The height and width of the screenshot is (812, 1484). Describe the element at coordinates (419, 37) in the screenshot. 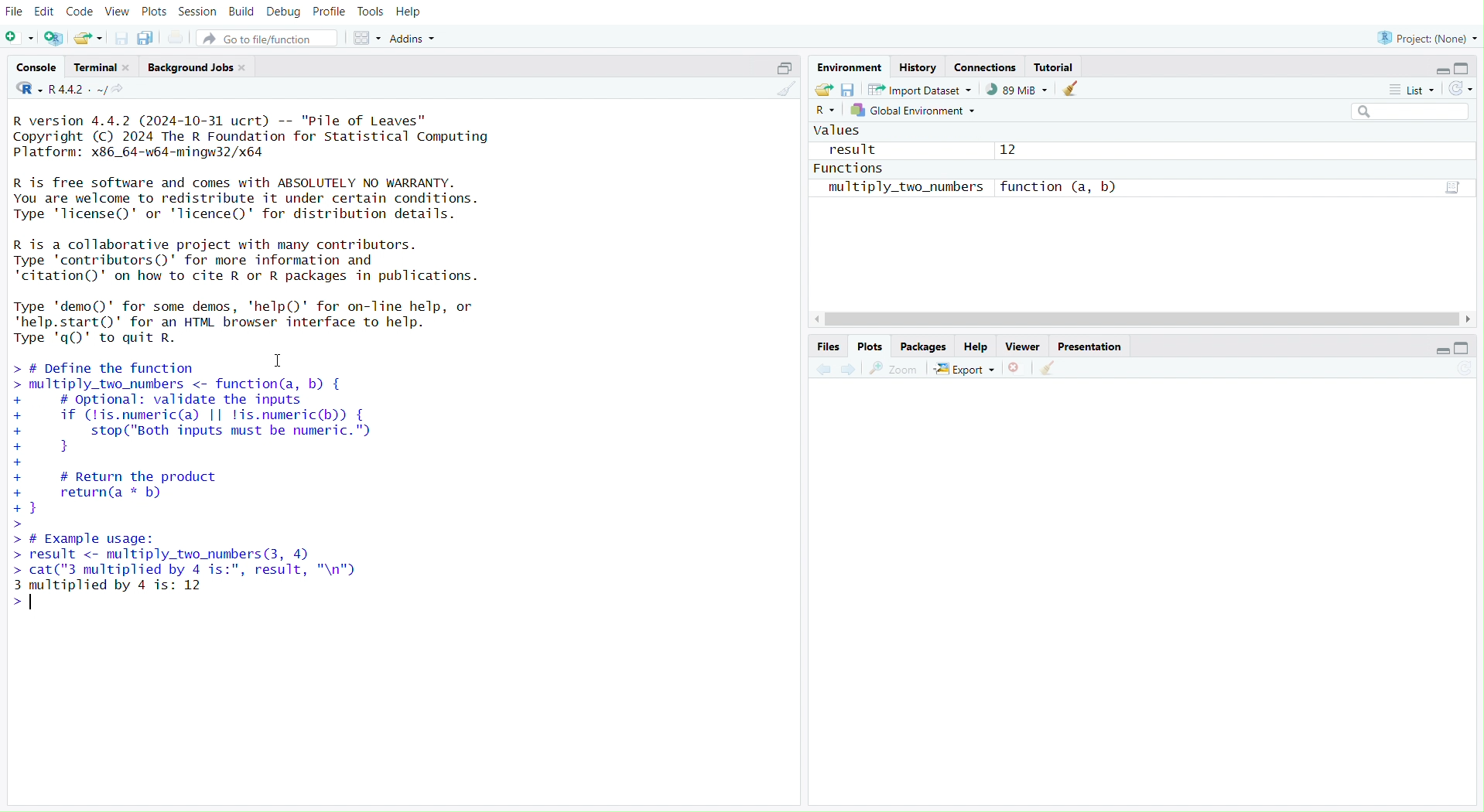

I see `Addins` at that location.